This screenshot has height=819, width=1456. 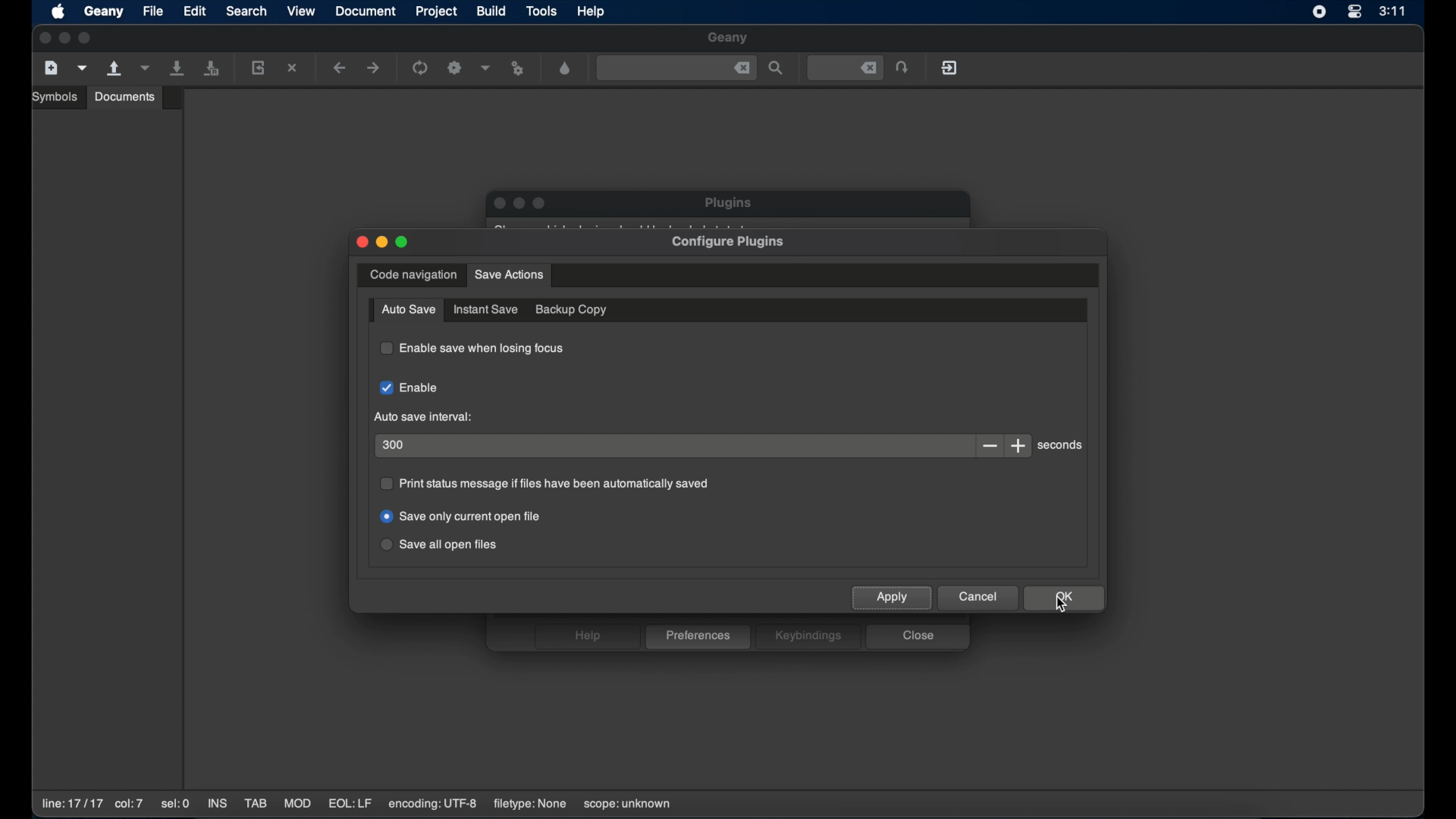 I want to click on increment, so click(x=1020, y=446).